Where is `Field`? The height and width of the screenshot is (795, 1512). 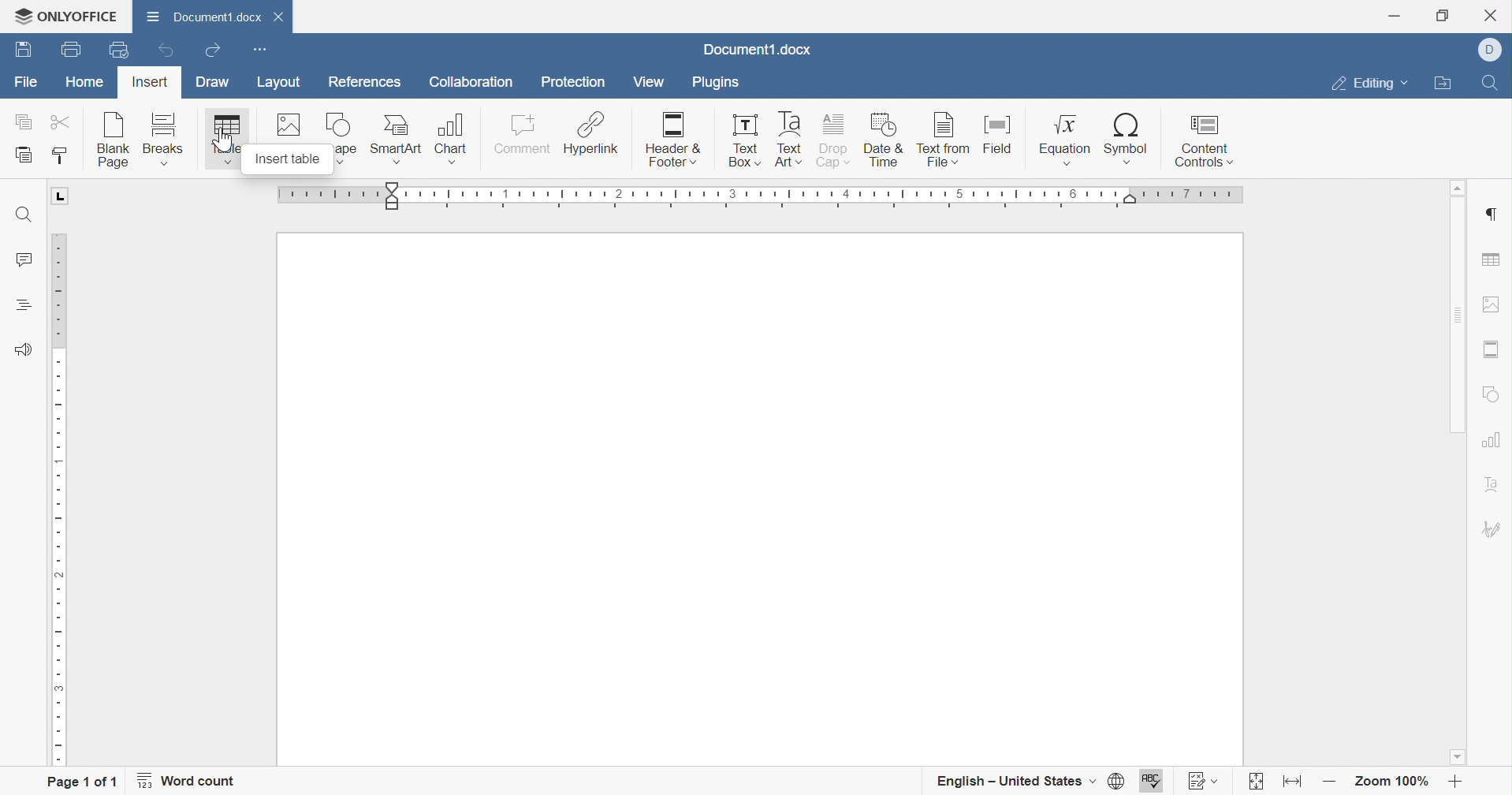
Field is located at coordinates (1002, 136).